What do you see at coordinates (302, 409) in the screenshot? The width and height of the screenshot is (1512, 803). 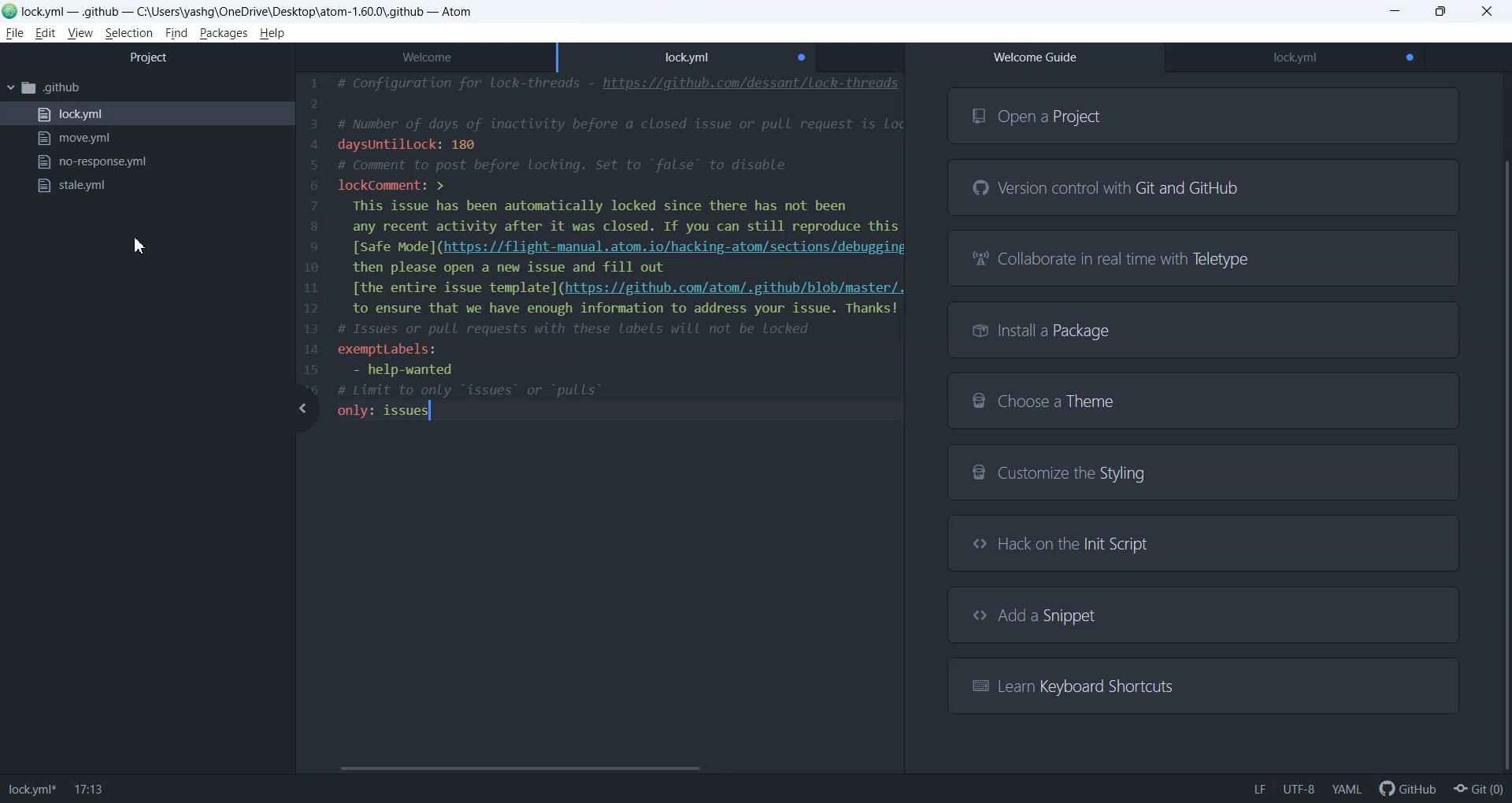 I see `Vertical drag handle` at bounding box center [302, 409].